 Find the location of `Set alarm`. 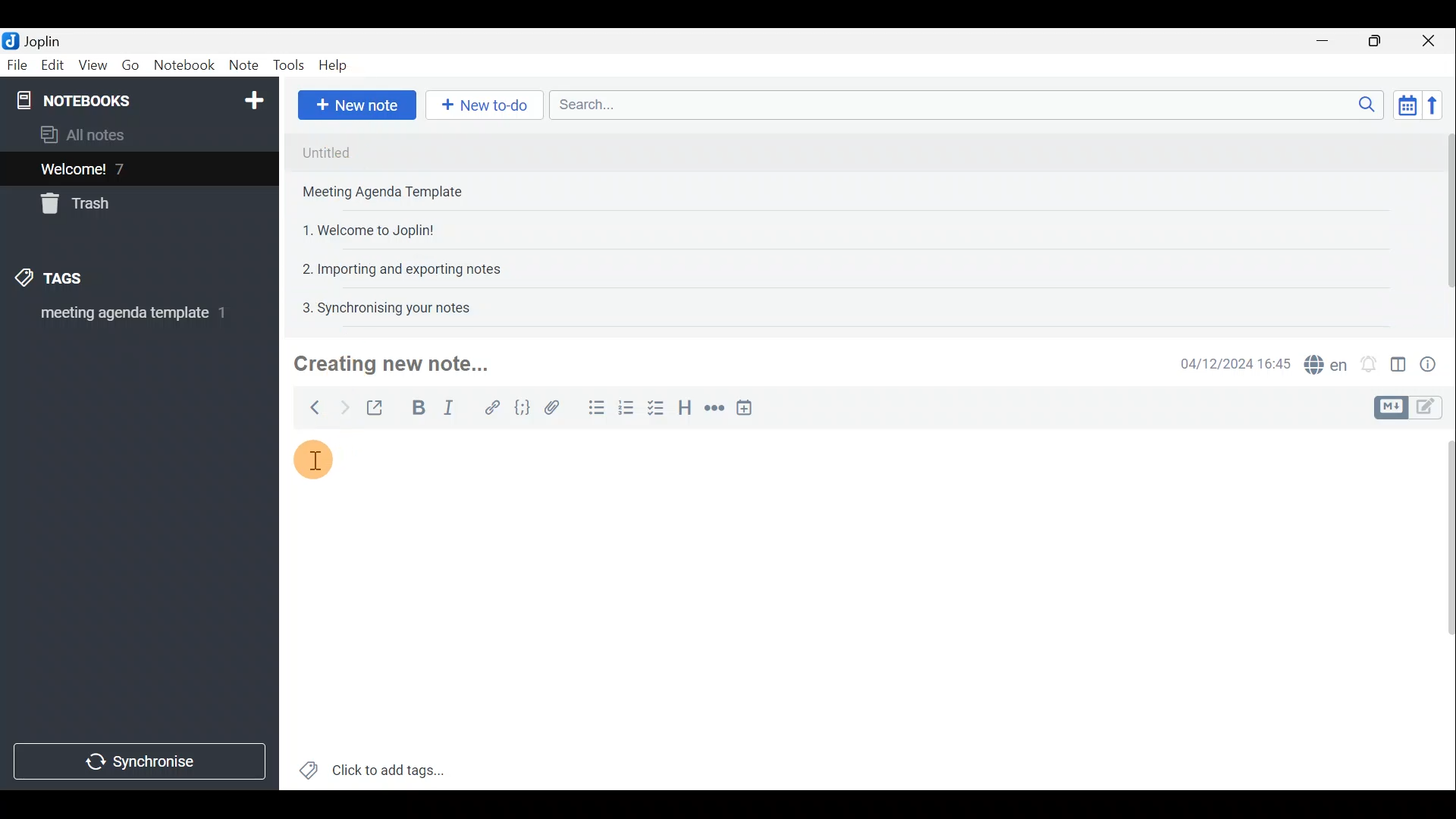

Set alarm is located at coordinates (1368, 360).